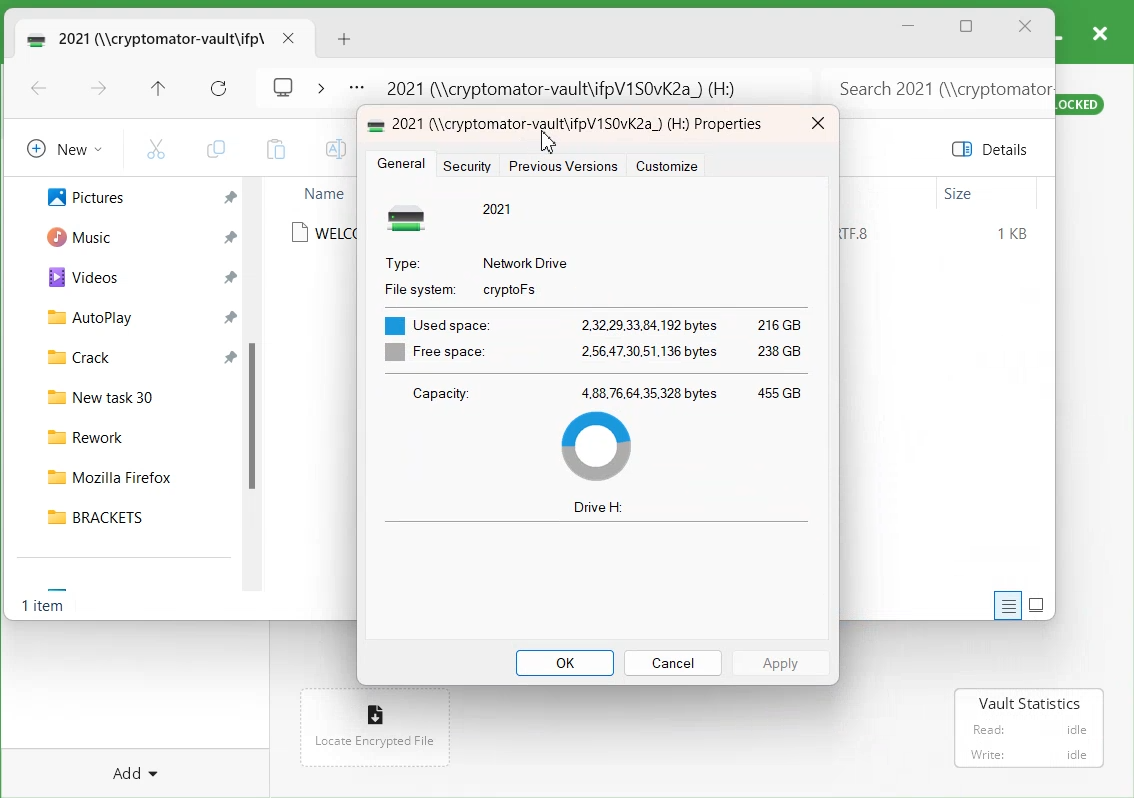 Image resolution: width=1134 pixels, height=798 pixels. What do you see at coordinates (439, 393) in the screenshot?
I see `Capacity` at bounding box center [439, 393].